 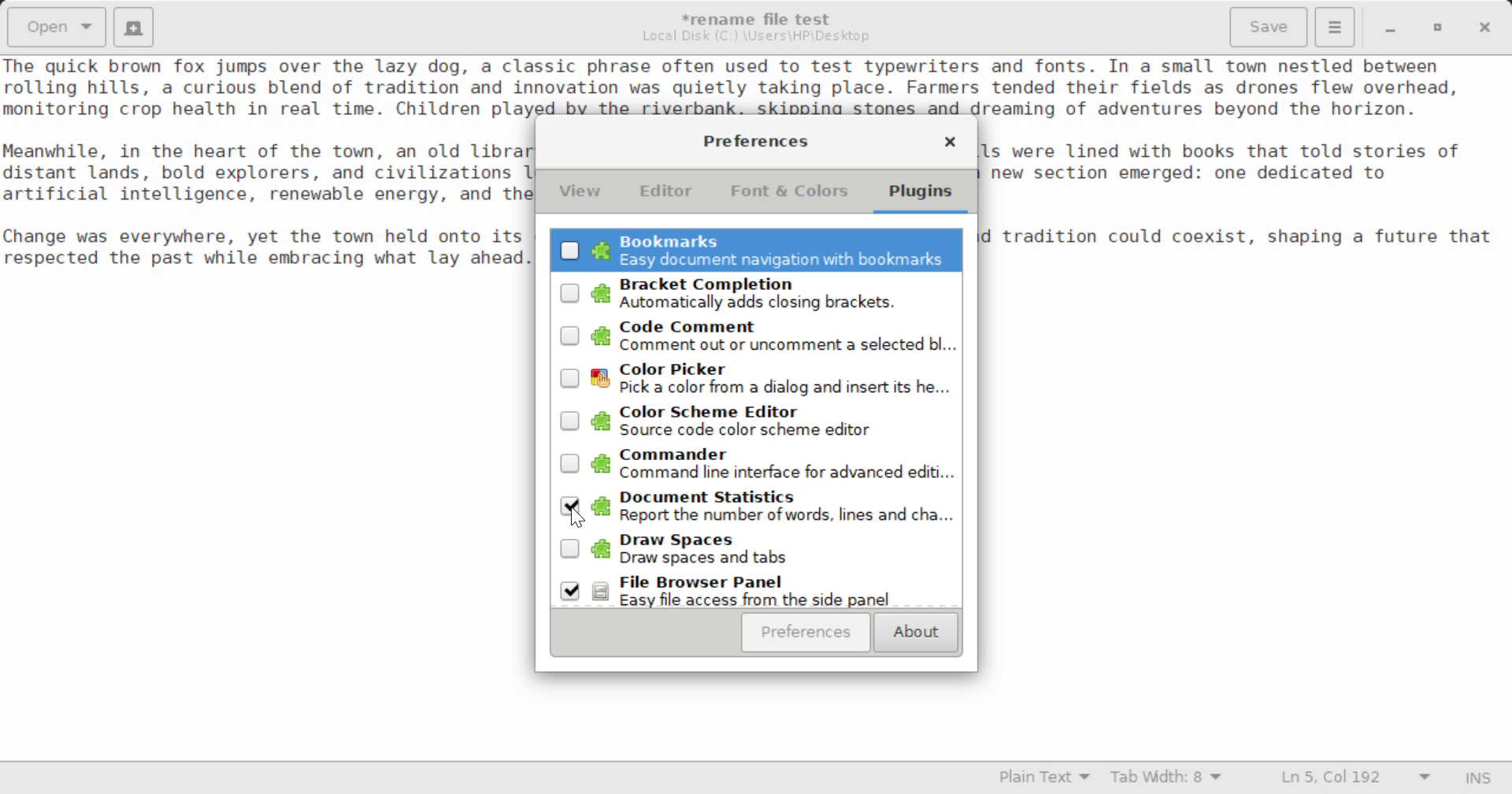 What do you see at coordinates (756, 36) in the screenshot?
I see `File Location` at bounding box center [756, 36].